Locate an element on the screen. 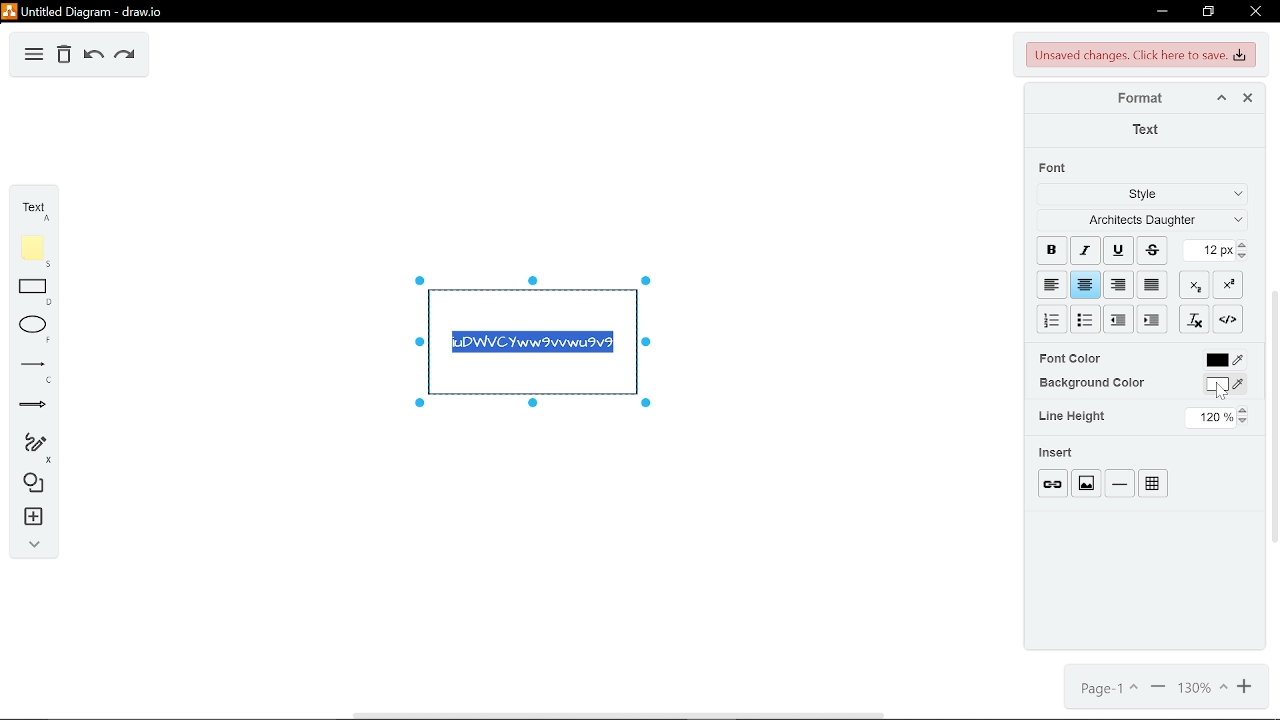 Image resolution: width=1280 pixels, height=720 pixels. background color is located at coordinates (1091, 382).